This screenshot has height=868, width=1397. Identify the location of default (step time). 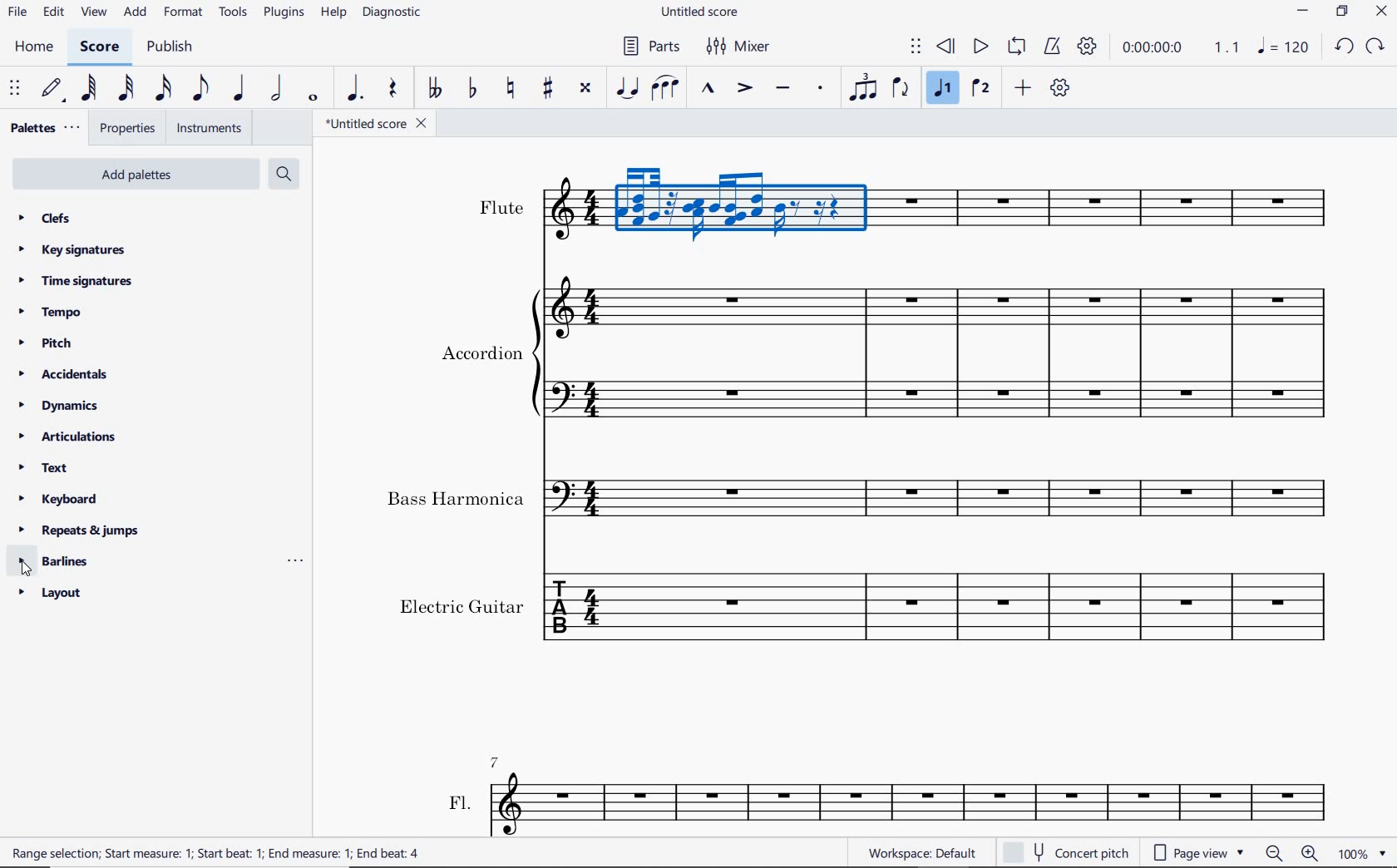
(54, 89).